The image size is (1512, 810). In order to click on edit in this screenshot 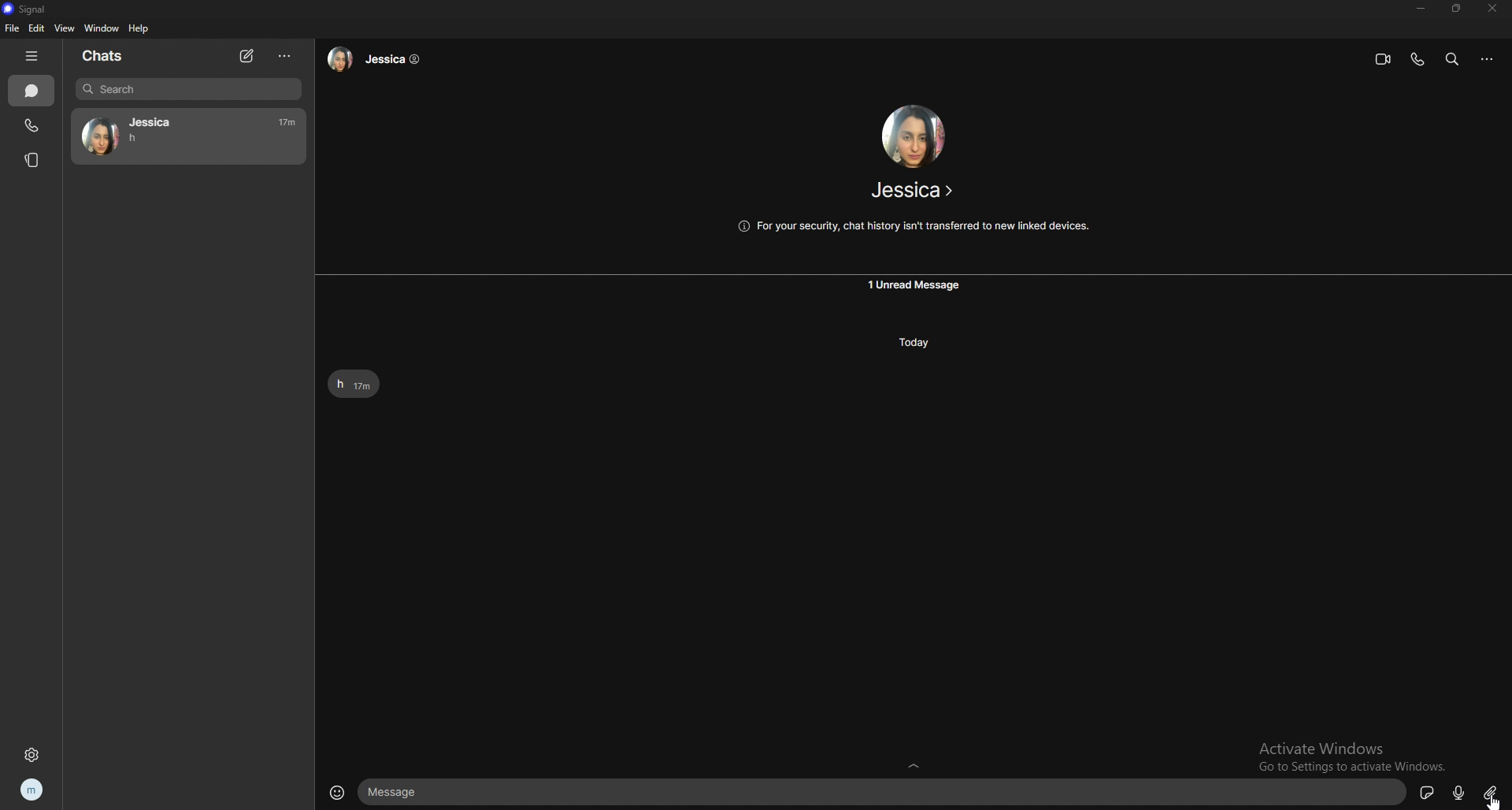, I will do `click(38, 28)`.